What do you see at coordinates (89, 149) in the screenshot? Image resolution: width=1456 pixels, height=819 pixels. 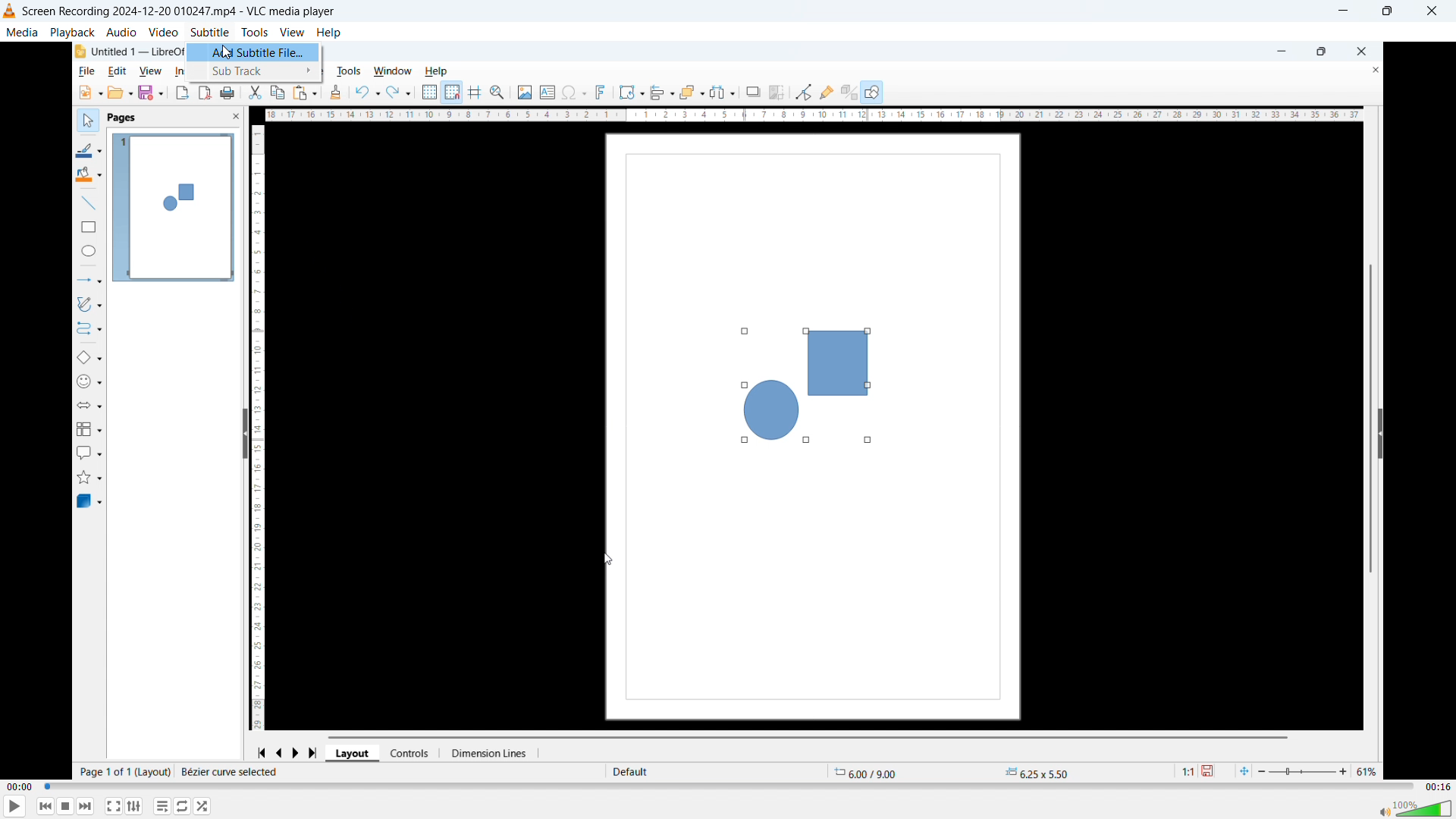 I see `line color` at bounding box center [89, 149].